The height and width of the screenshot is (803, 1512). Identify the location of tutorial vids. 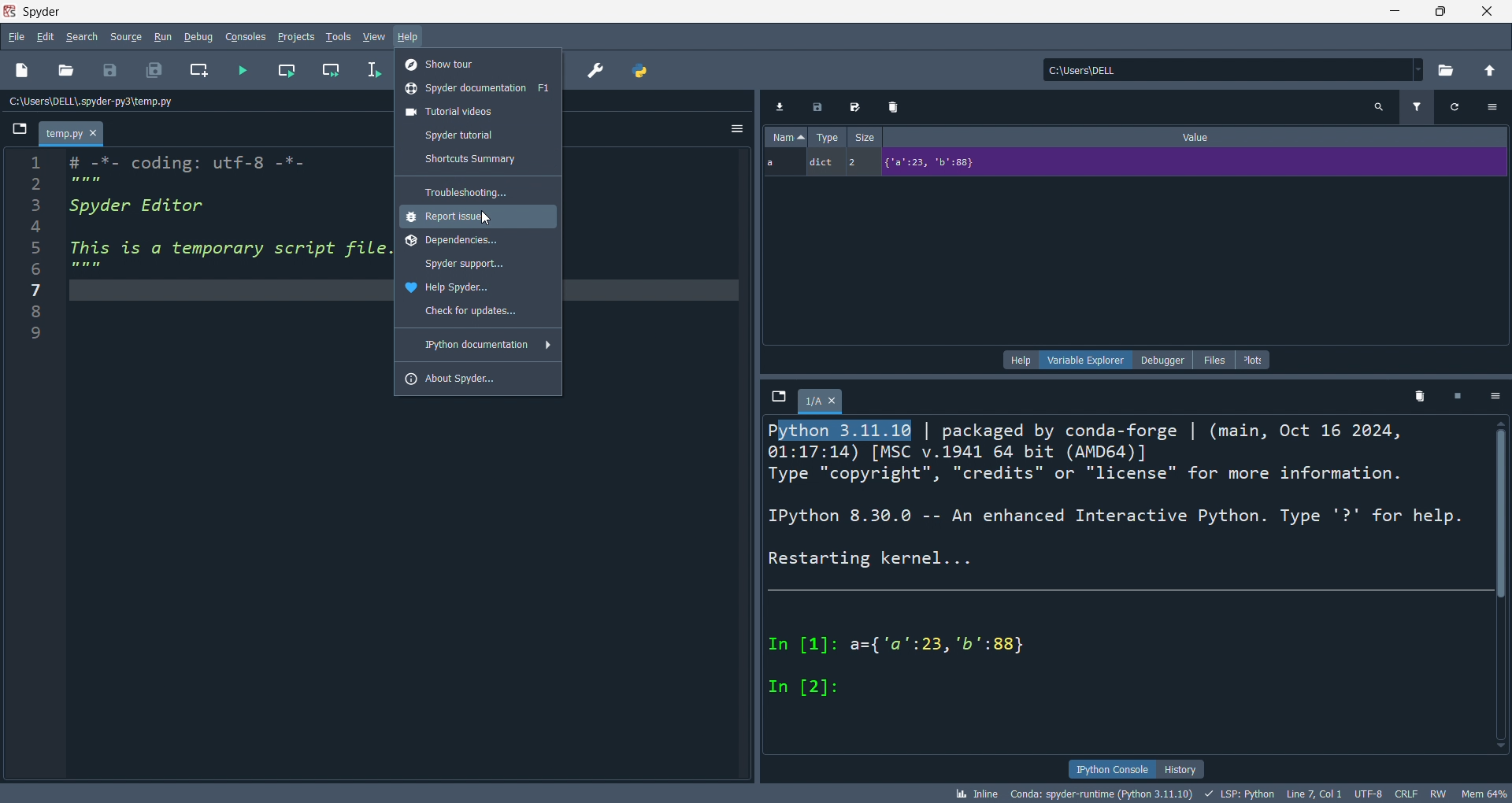
(479, 113).